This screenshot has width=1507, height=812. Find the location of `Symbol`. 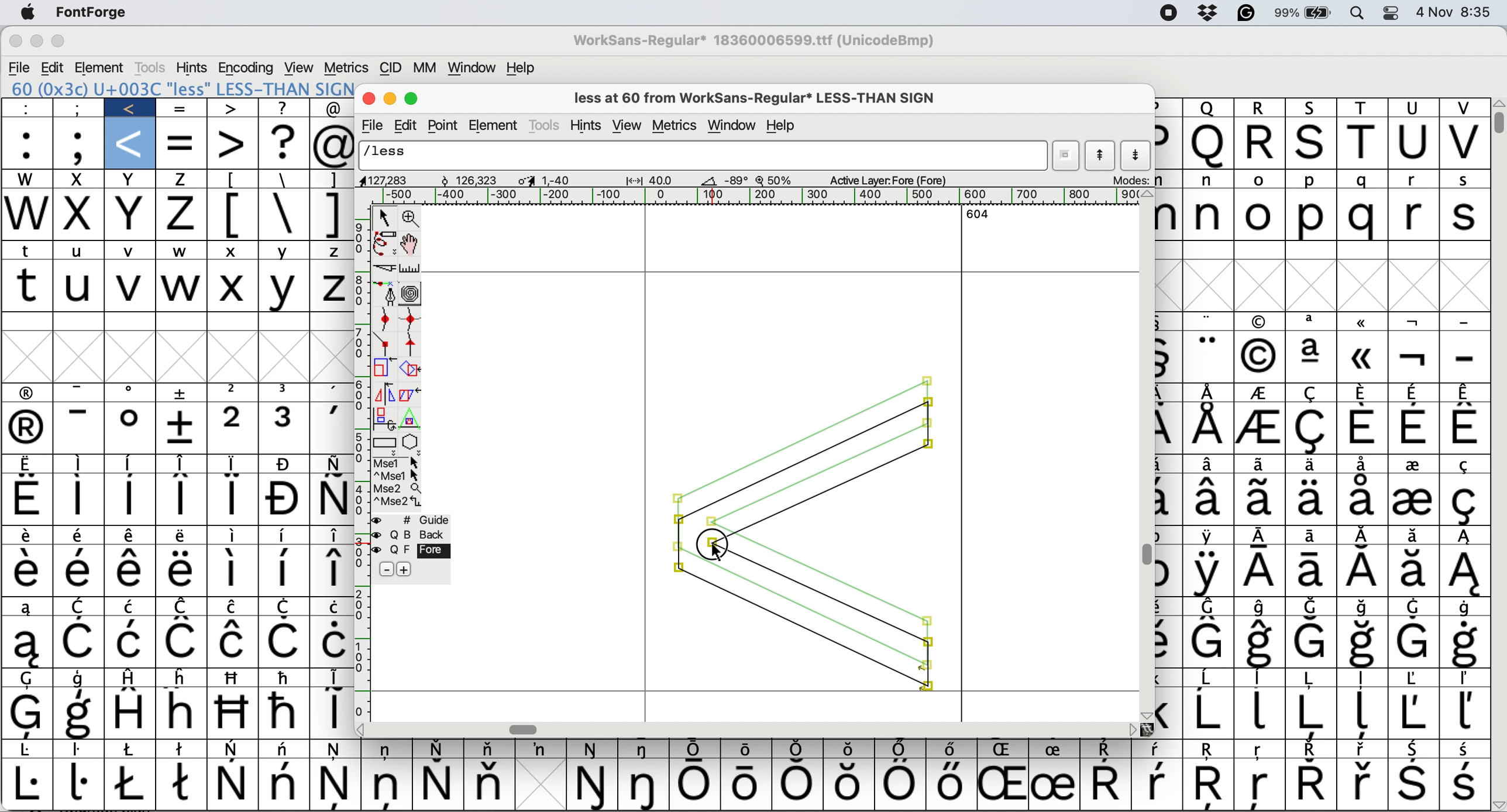

Symbol is located at coordinates (183, 643).